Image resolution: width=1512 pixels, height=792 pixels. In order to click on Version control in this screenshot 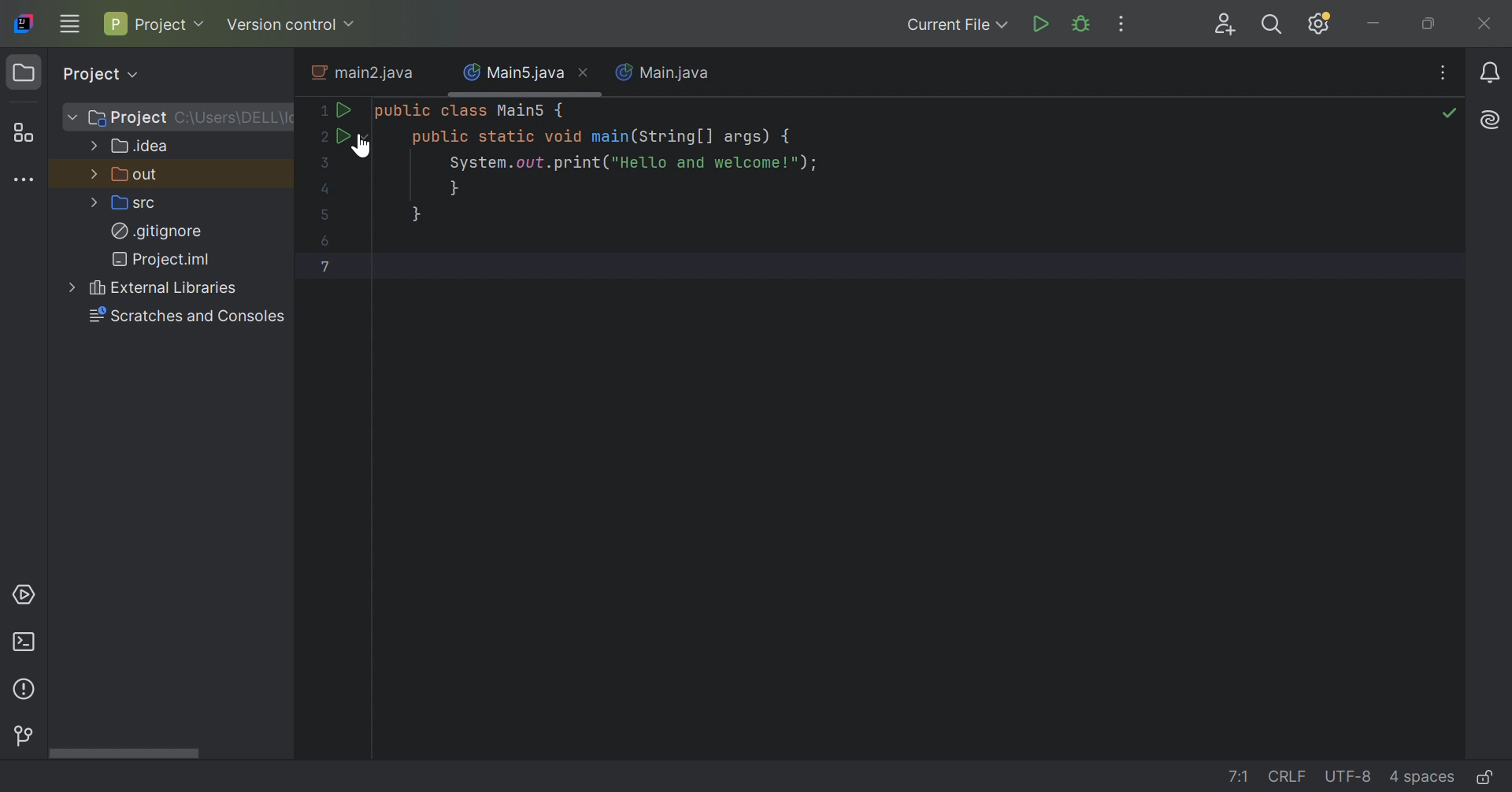, I will do `click(295, 24)`.